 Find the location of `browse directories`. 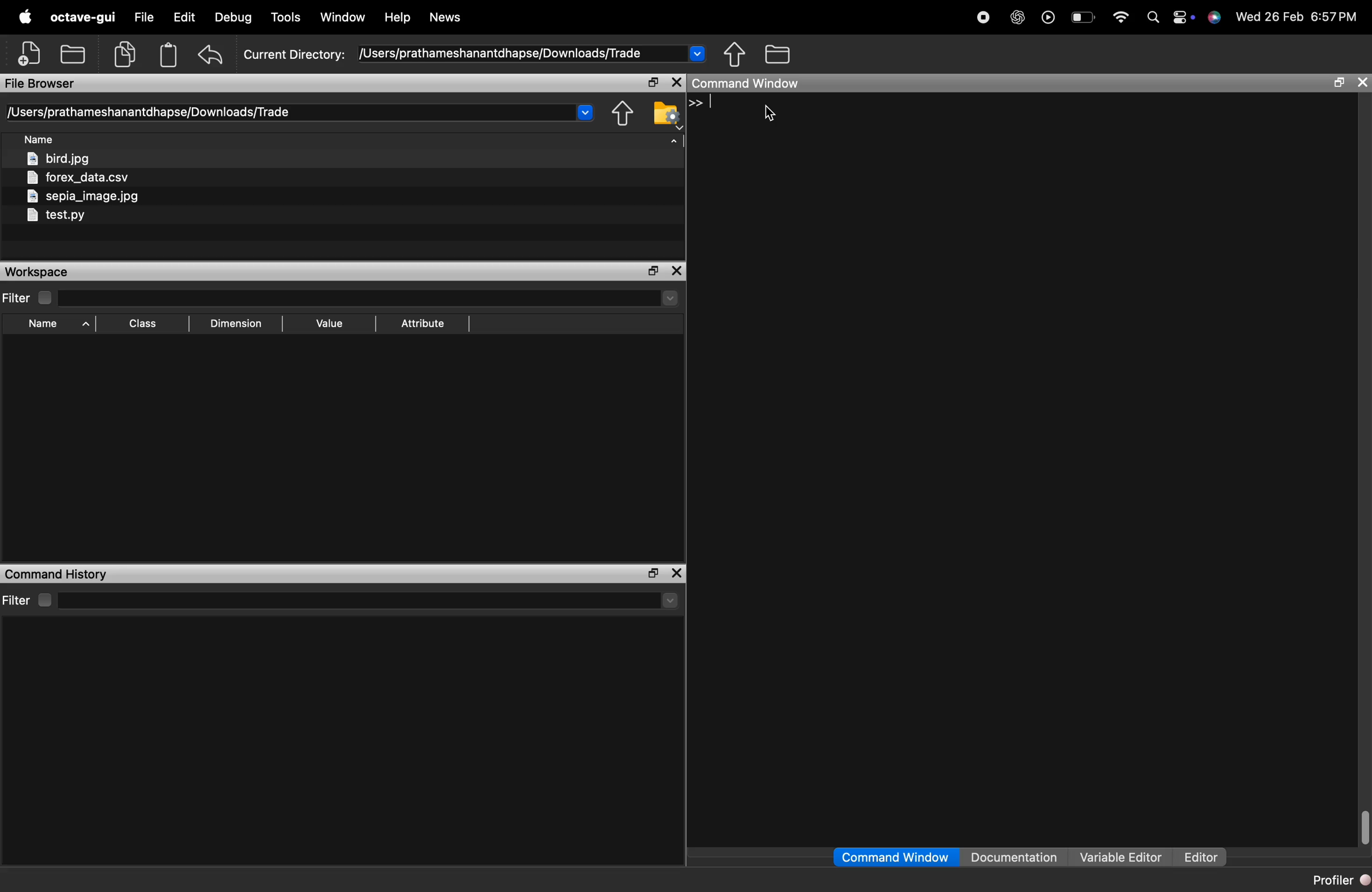

browse directories is located at coordinates (778, 54).